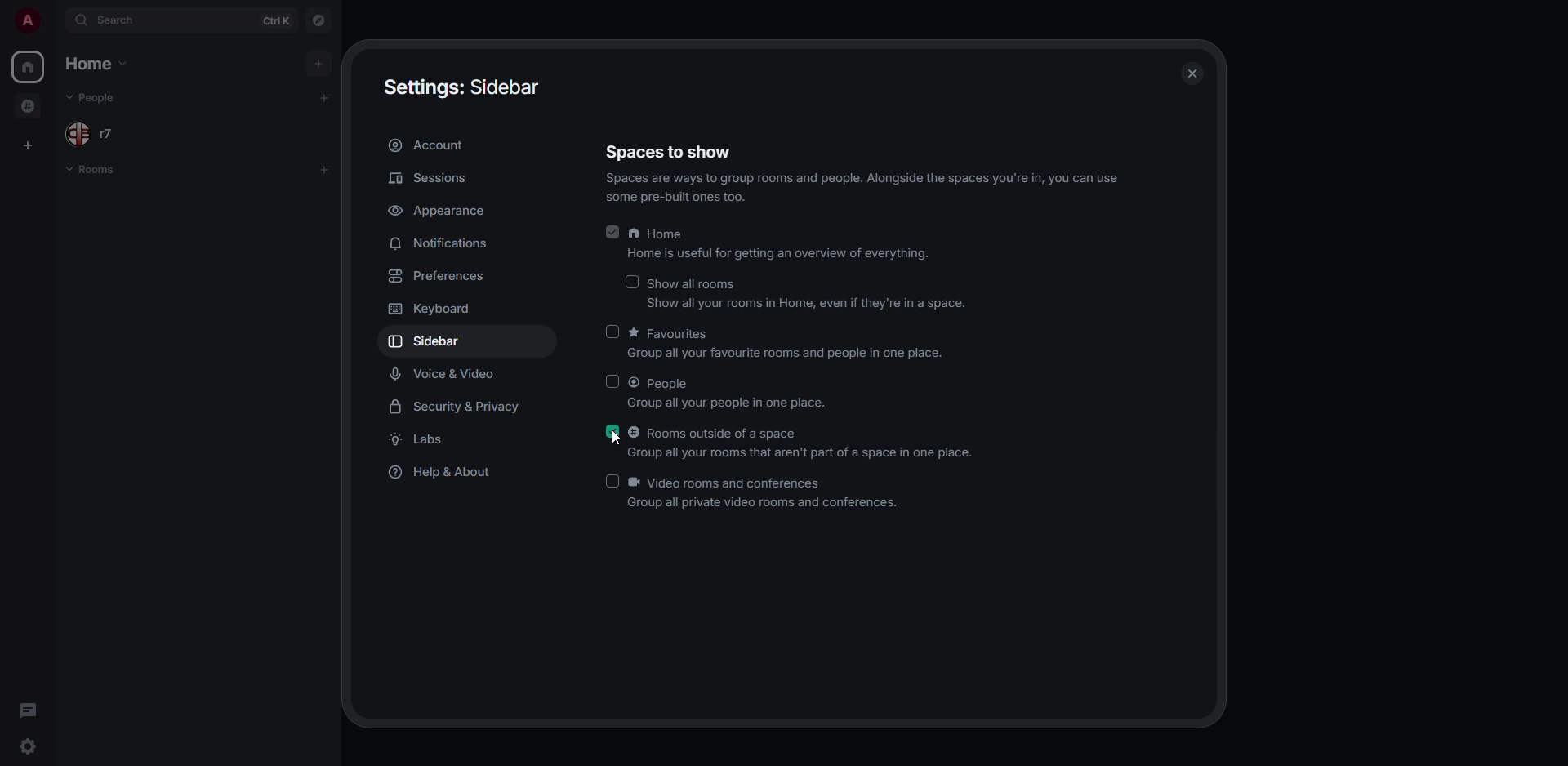 The image size is (1568, 766). I want to click on click to enable, so click(612, 381).